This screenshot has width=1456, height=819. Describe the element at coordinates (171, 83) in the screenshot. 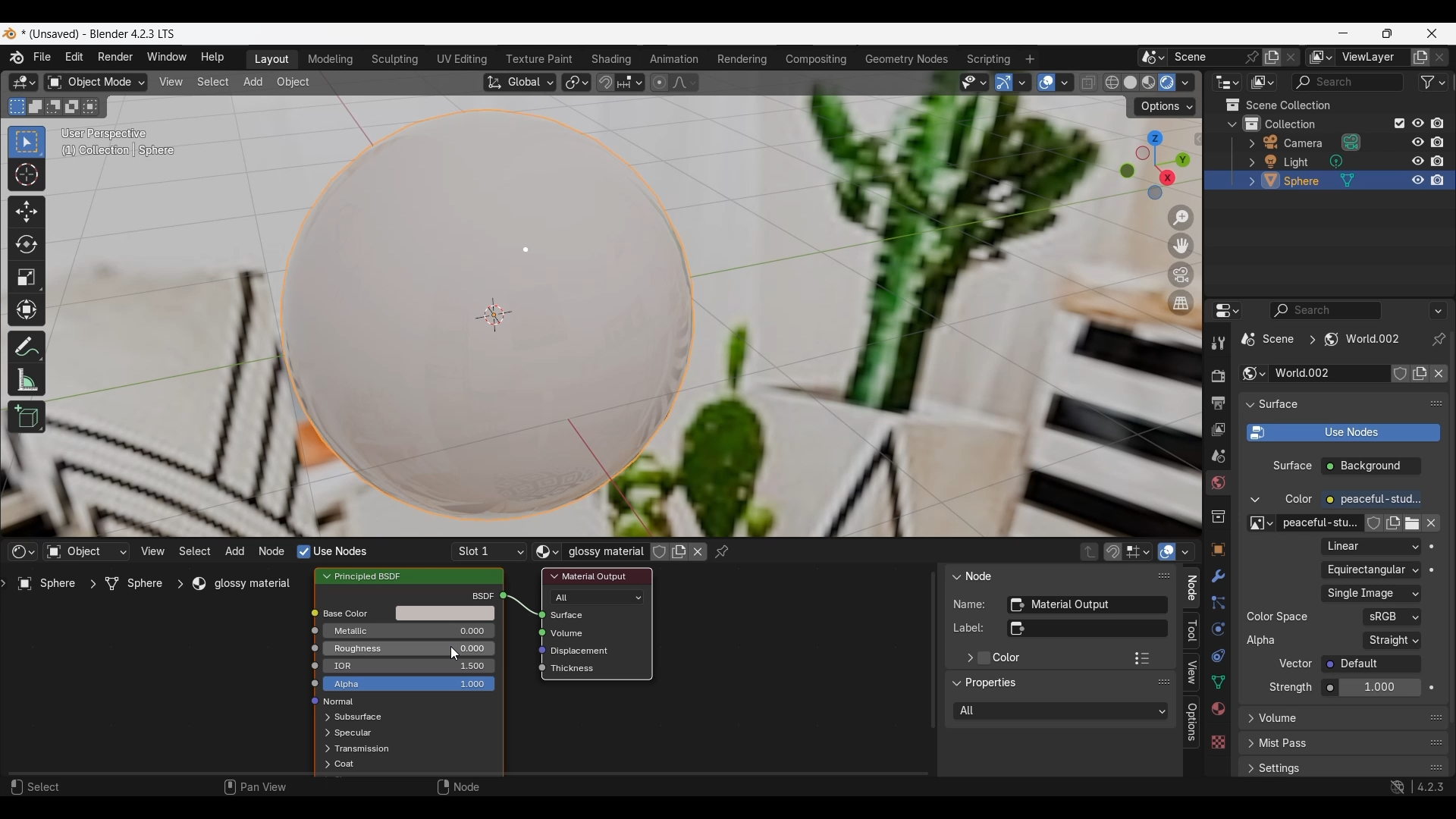

I see `View menu` at that location.